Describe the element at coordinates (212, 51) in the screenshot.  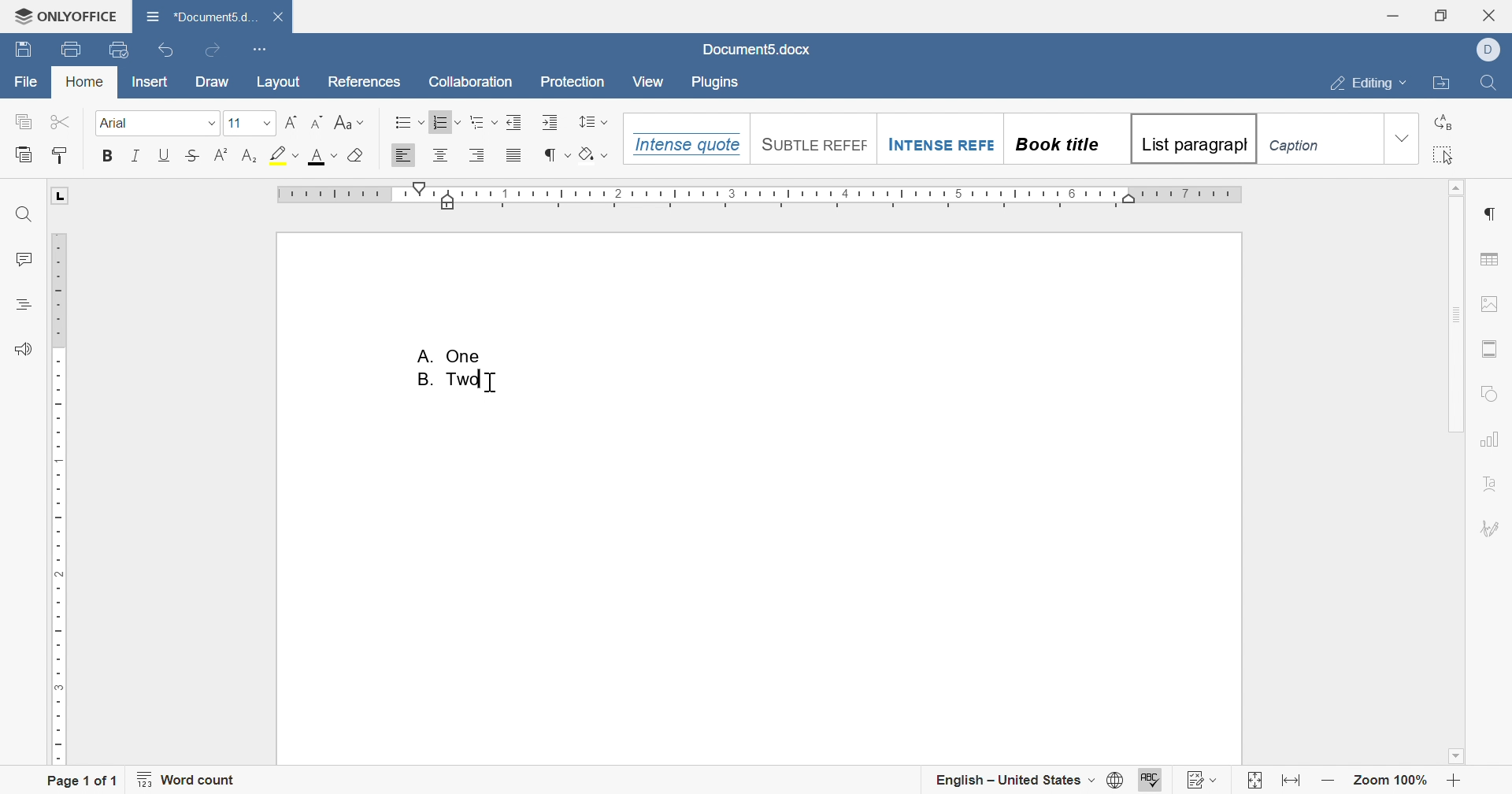
I see `redo` at that location.